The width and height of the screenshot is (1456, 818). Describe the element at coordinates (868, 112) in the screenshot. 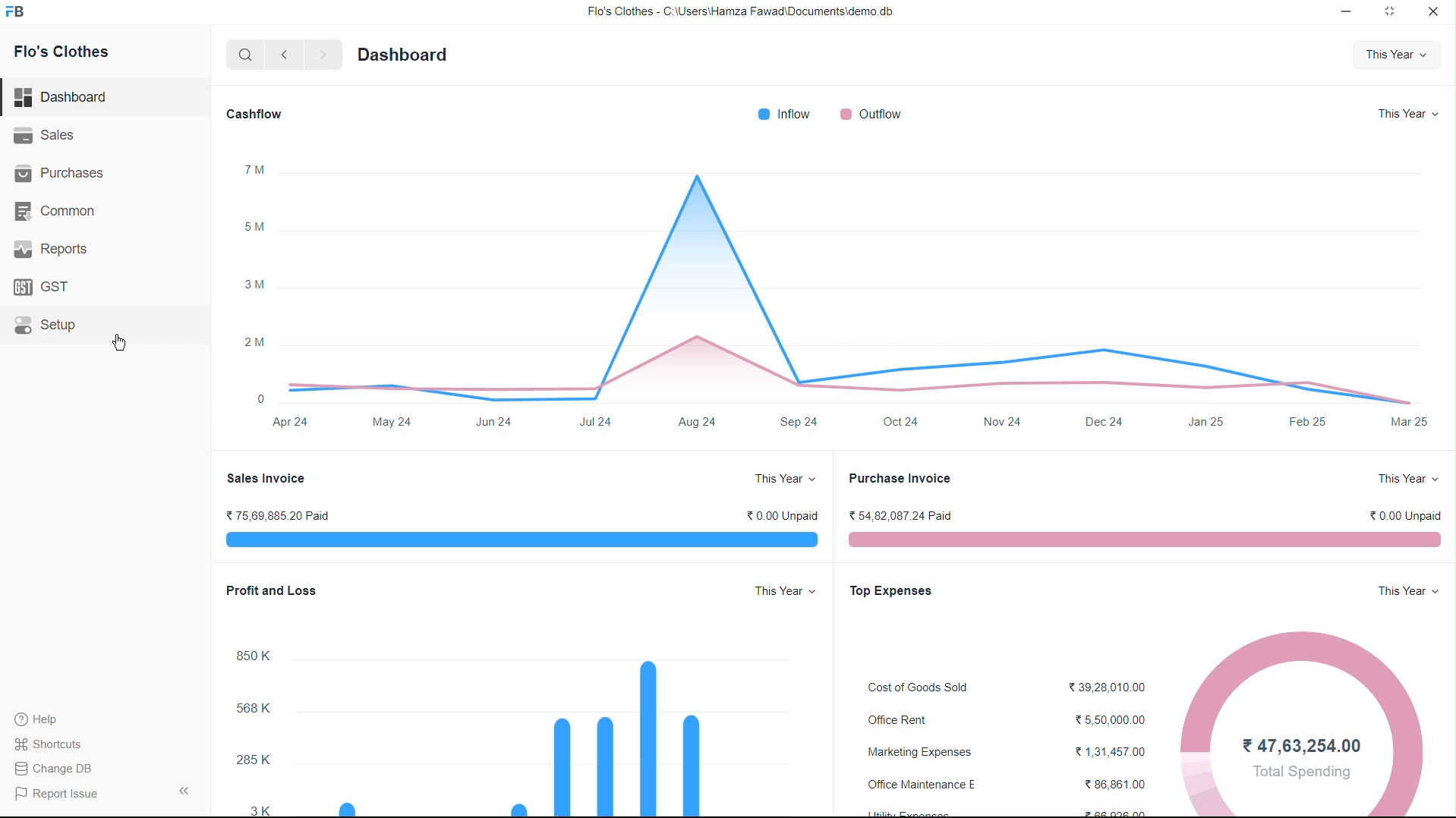

I see `Outflow` at that location.